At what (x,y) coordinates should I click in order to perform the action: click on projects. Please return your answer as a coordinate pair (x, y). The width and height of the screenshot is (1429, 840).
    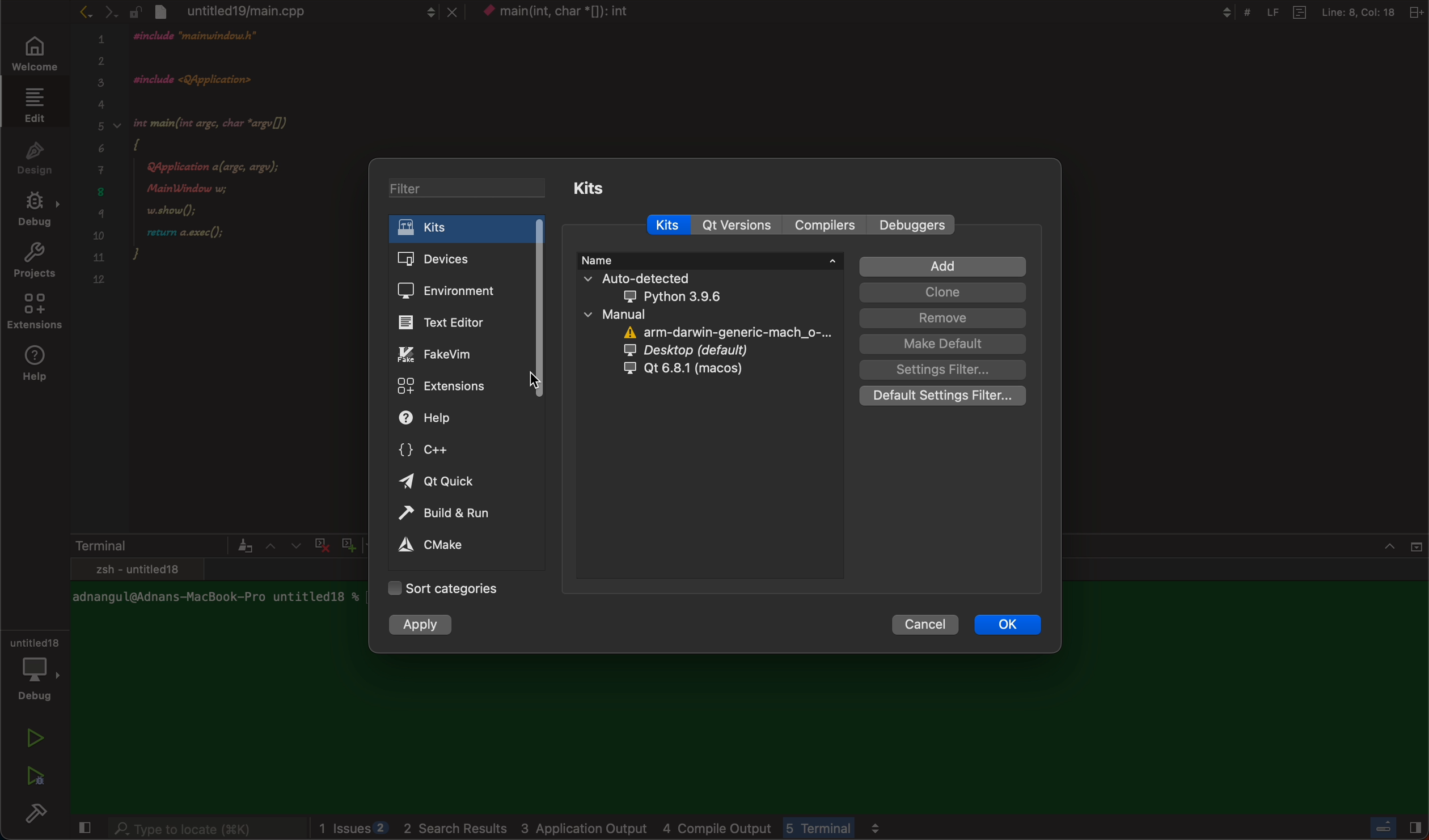
    Looking at the image, I should click on (34, 263).